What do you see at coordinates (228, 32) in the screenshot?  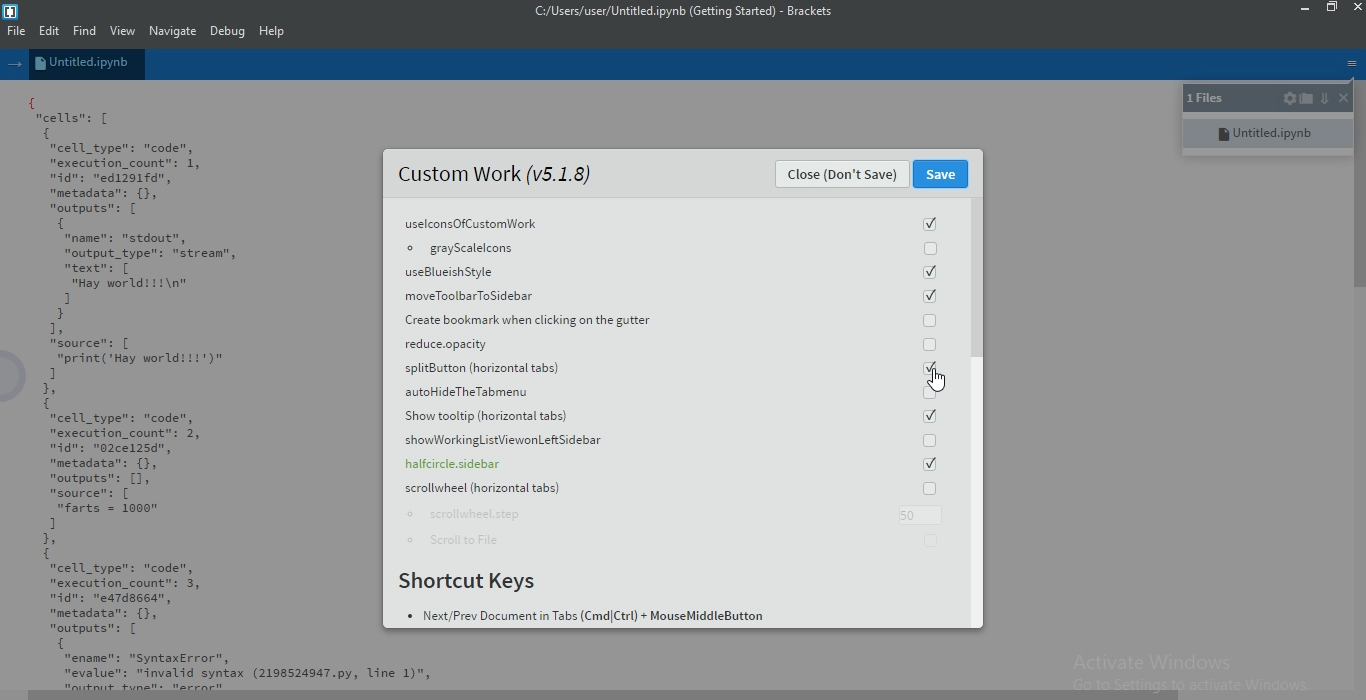 I see `Debug` at bounding box center [228, 32].